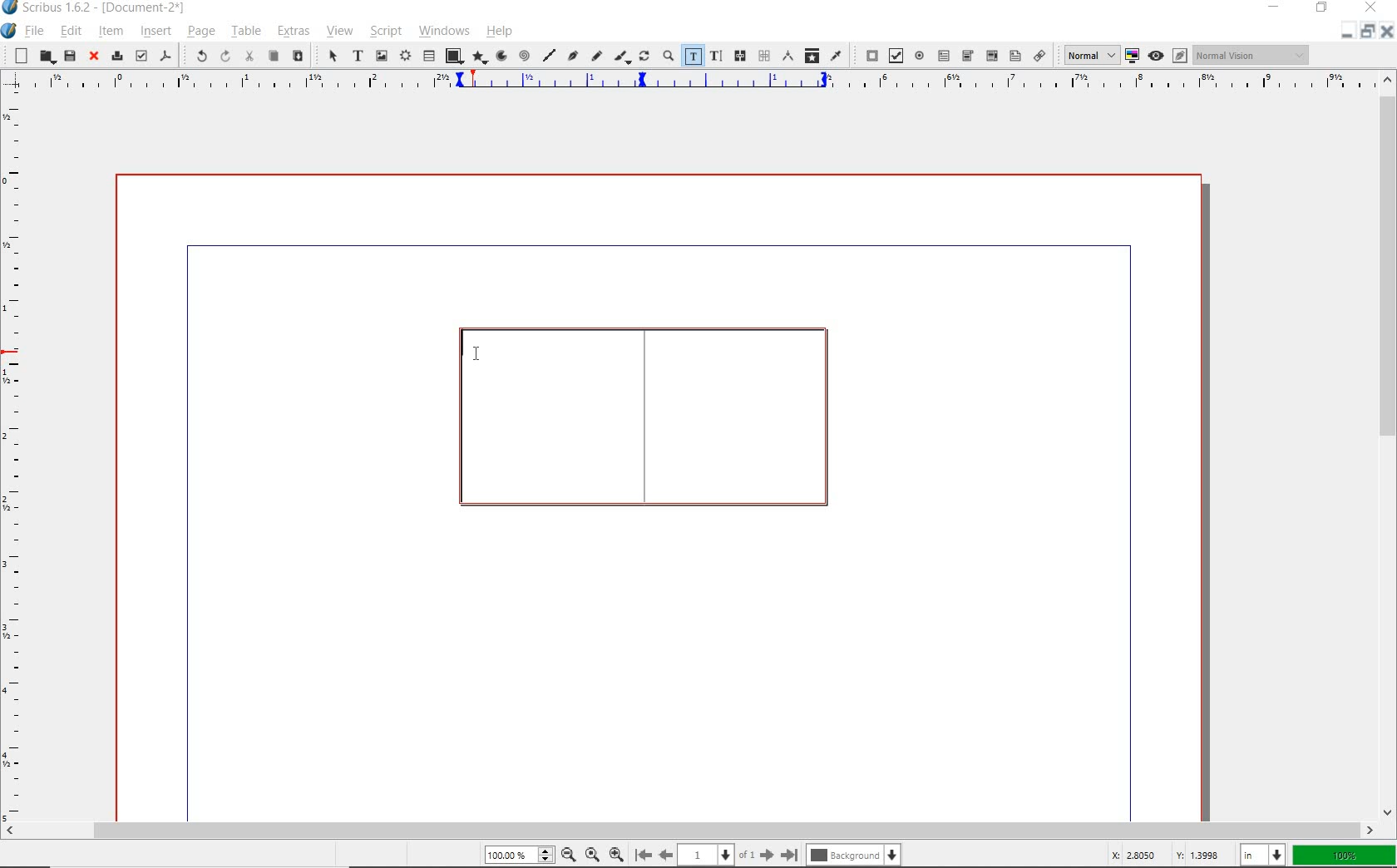 The width and height of the screenshot is (1397, 868). Describe the element at coordinates (689, 831) in the screenshot. I see `scrollbar` at that location.